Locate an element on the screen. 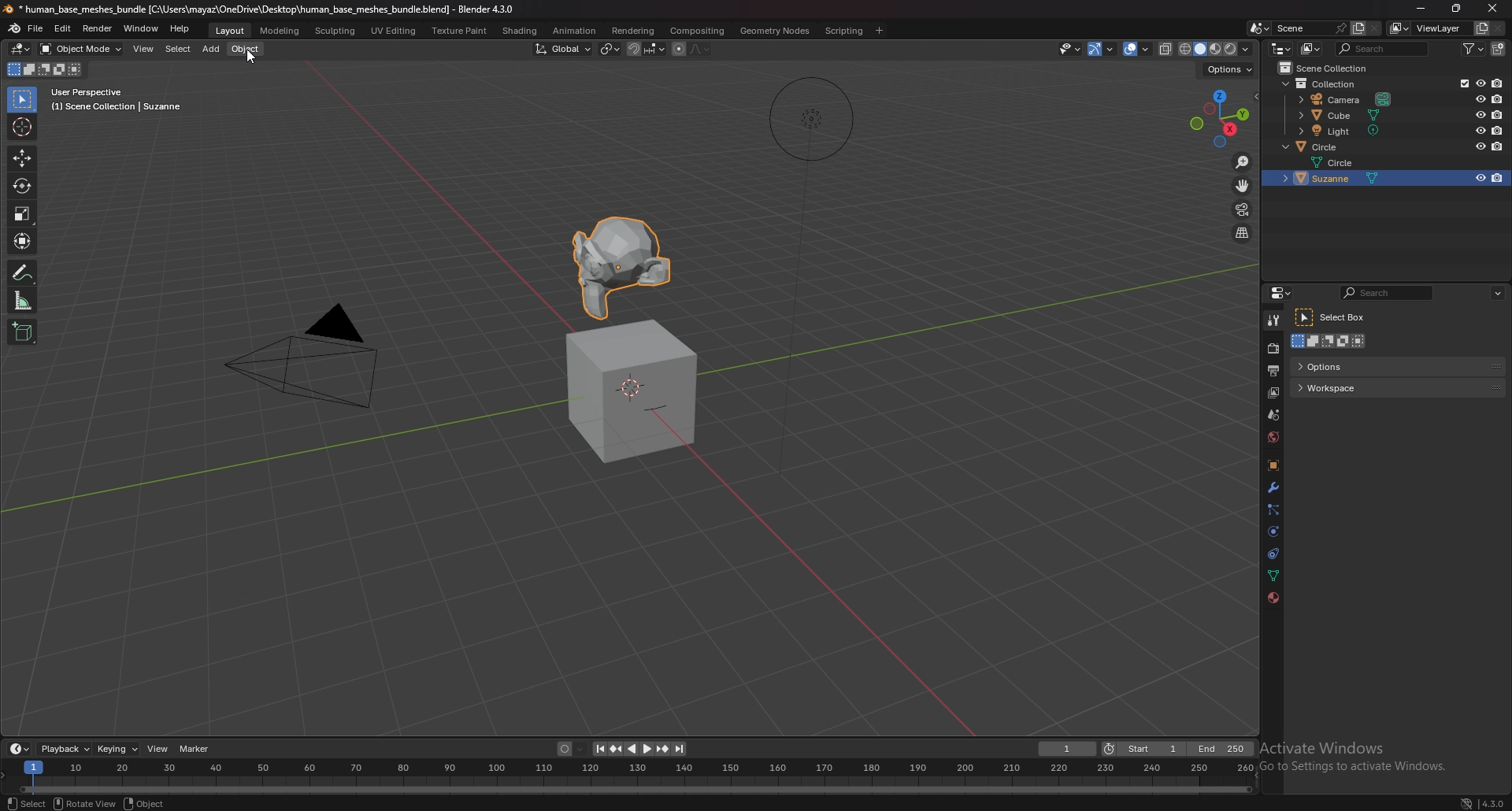  object is located at coordinates (1273, 465).